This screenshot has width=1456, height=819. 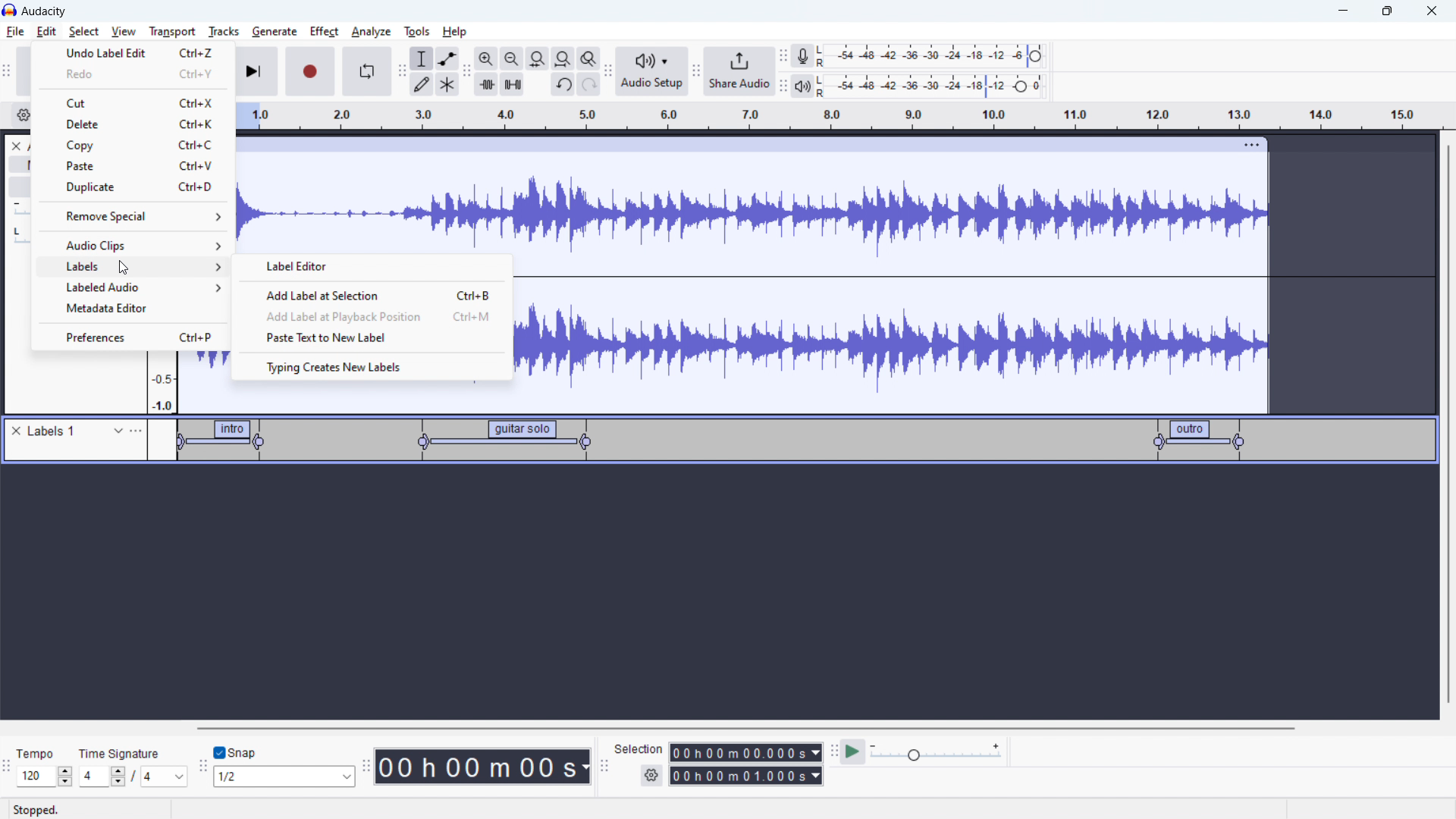 I want to click on recording meter toolbar, so click(x=783, y=58).